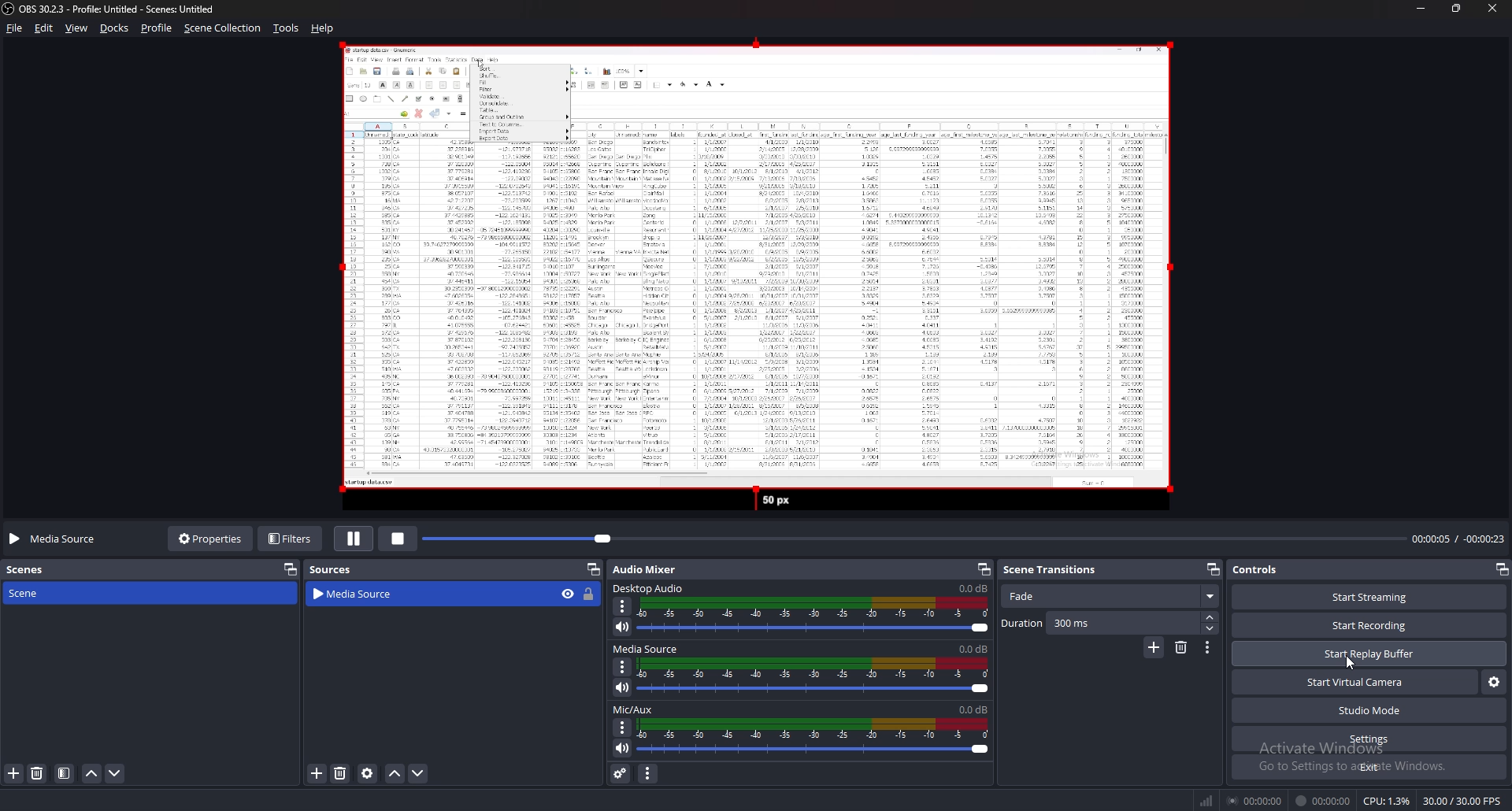 This screenshot has width=1512, height=811. Describe the element at coordinates (623, 728) in the screenshot. I see `options` at that location.